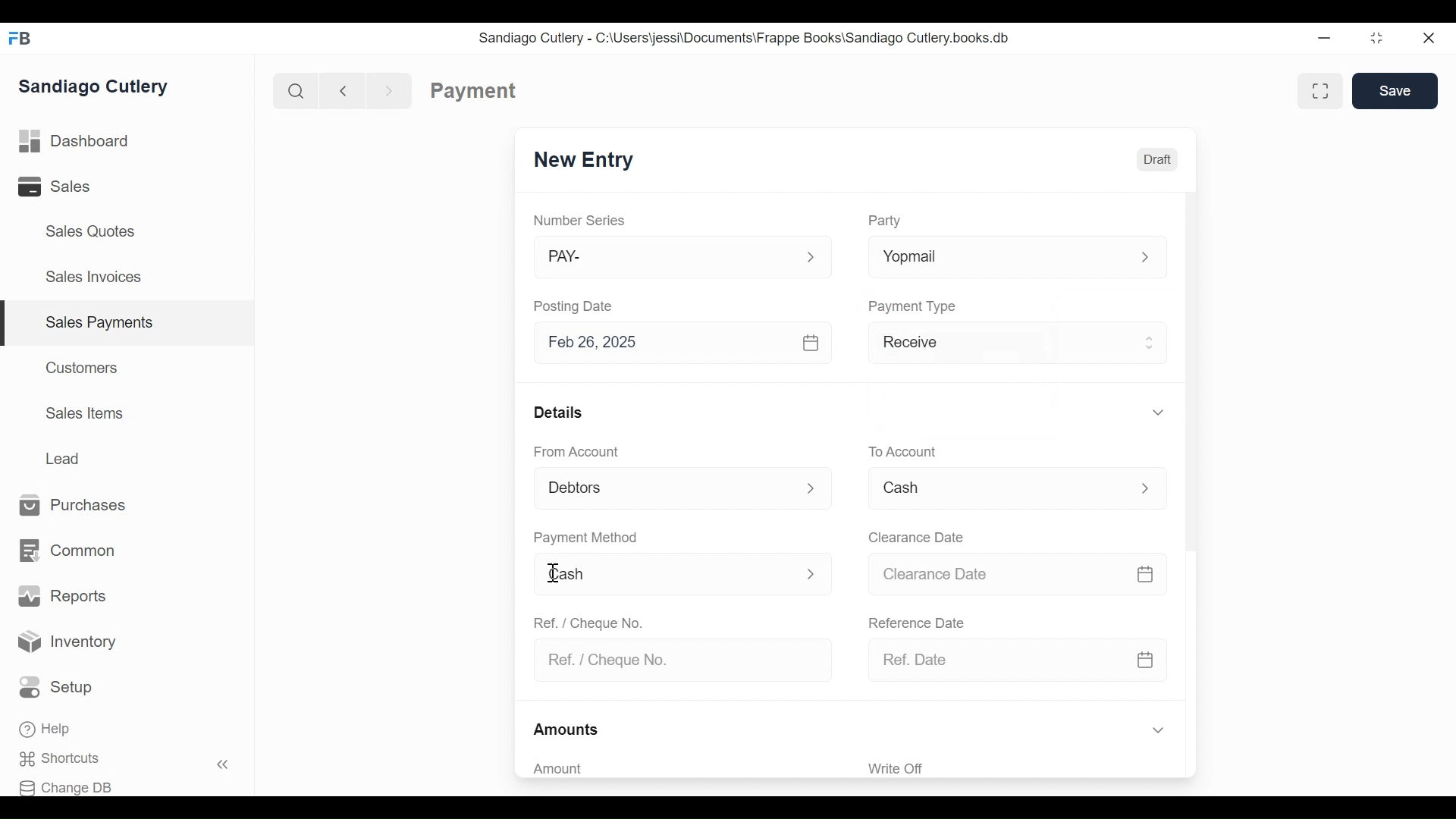 This screenshot has height=819, width=1456. I want to click on Expand, so click(811, 573).